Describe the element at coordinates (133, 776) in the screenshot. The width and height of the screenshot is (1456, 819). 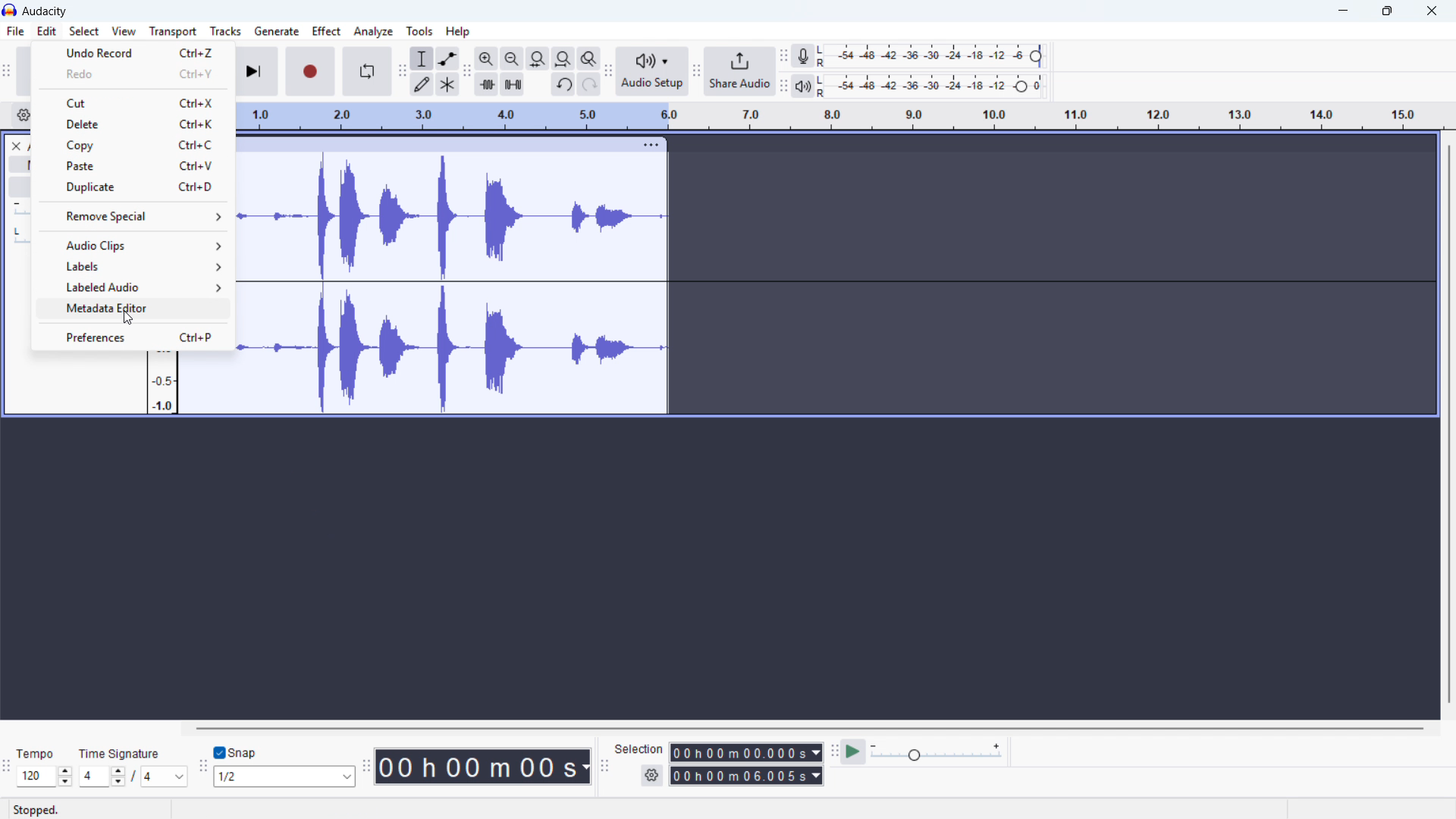
I see `set time signature` at that location.